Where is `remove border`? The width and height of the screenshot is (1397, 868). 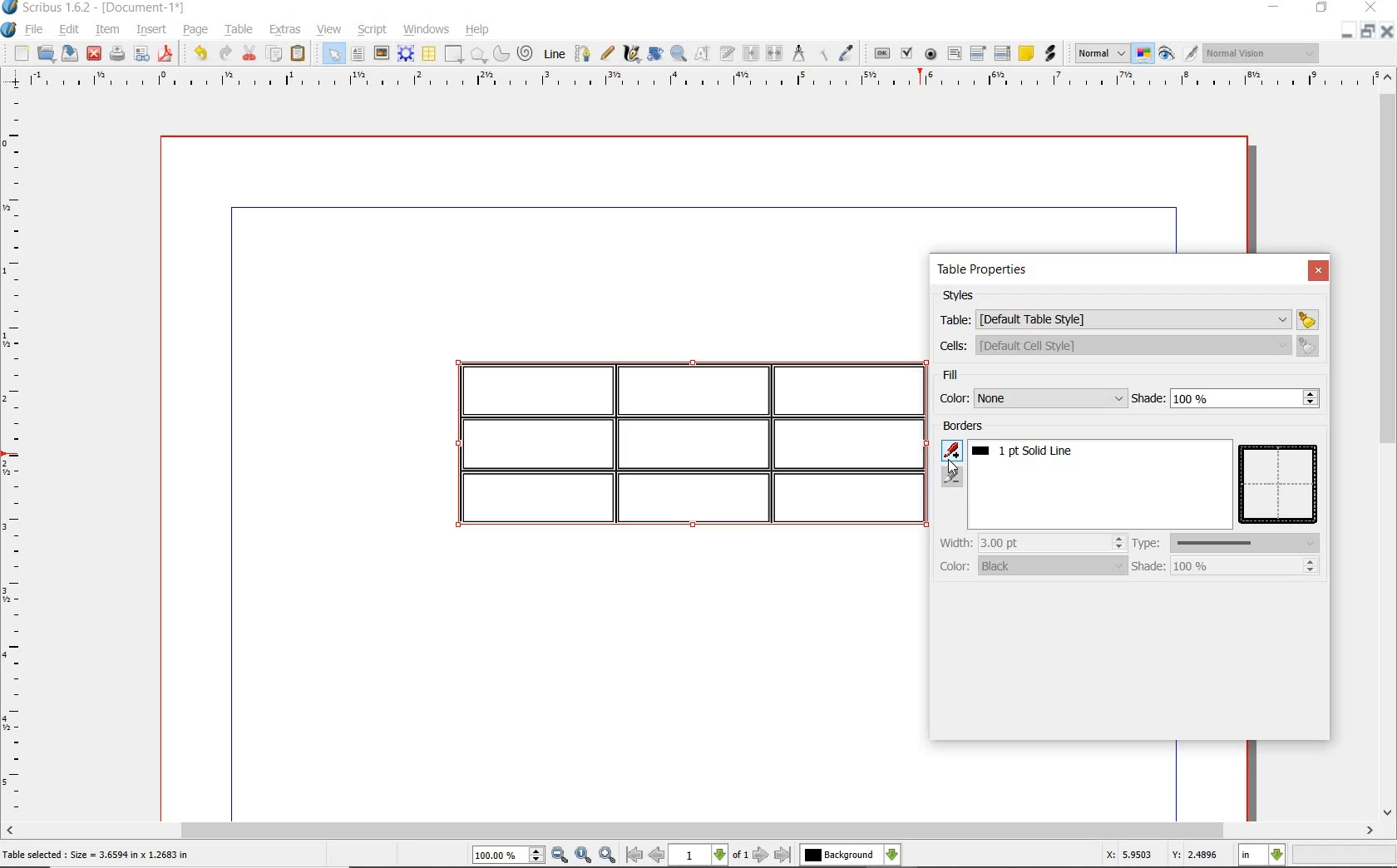
remove border is located at coordinates (954, 477).